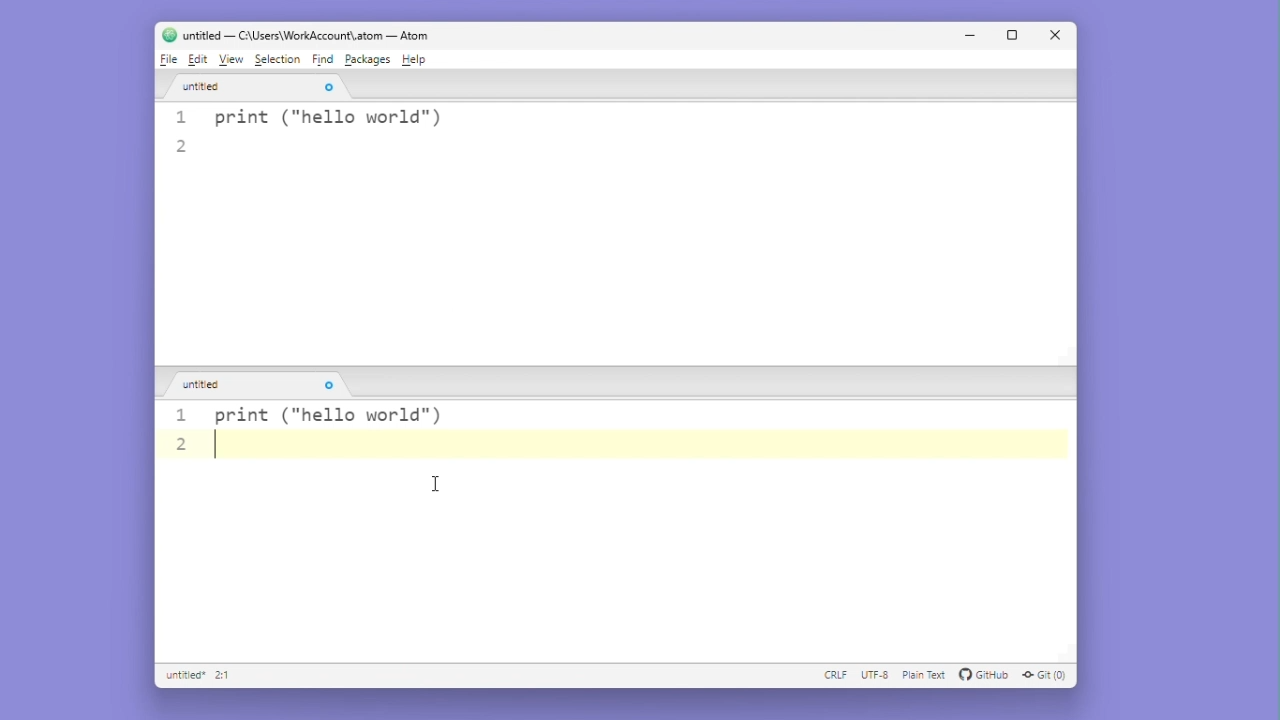 The height and width of the screenshot is (720, 1280). Describe the element at coordinates (875, 676) in the screenshot. I see `UTF - 8` at that location.